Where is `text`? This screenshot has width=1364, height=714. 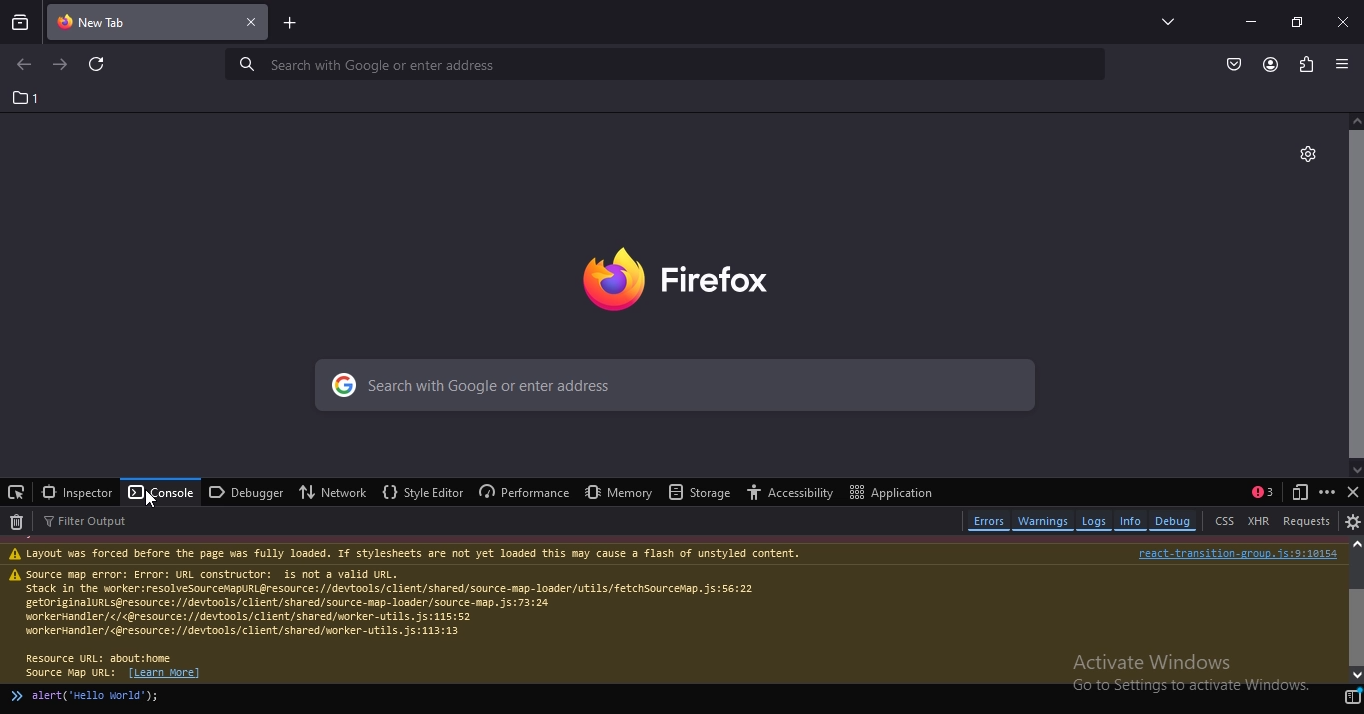 text is located at coordinates (672, 614).